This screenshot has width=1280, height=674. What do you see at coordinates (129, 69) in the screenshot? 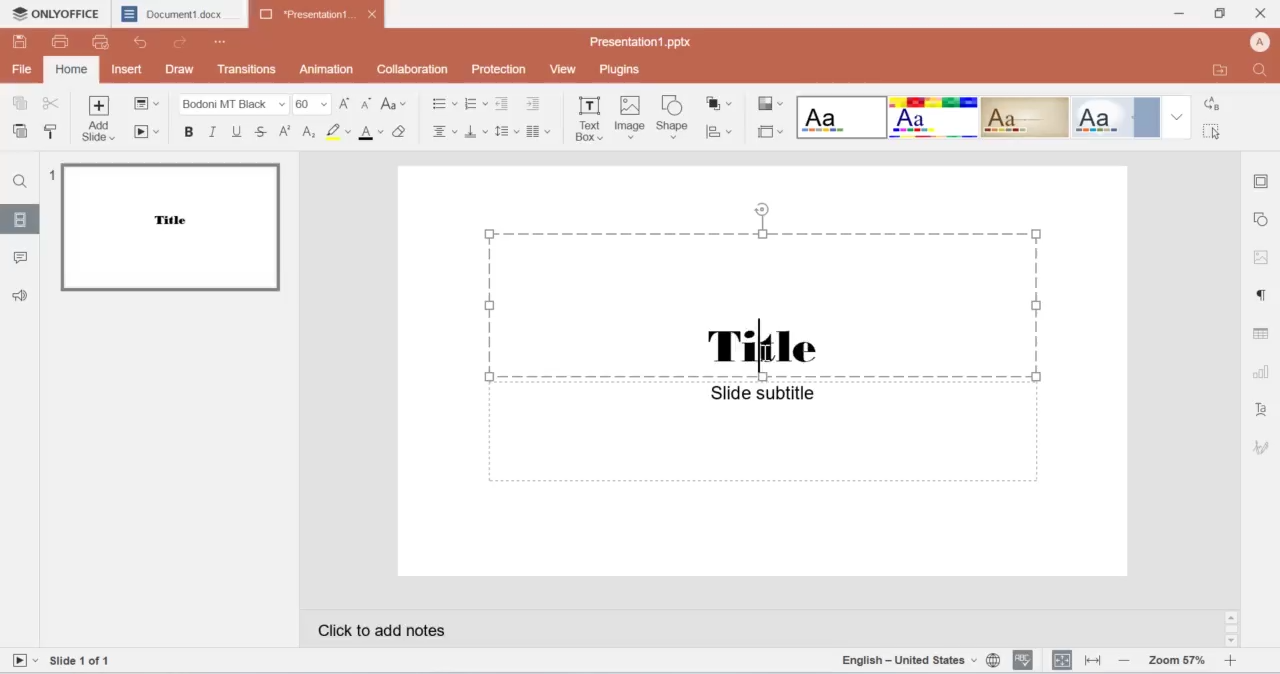
I see `insert` at bounding box center [129, 69].